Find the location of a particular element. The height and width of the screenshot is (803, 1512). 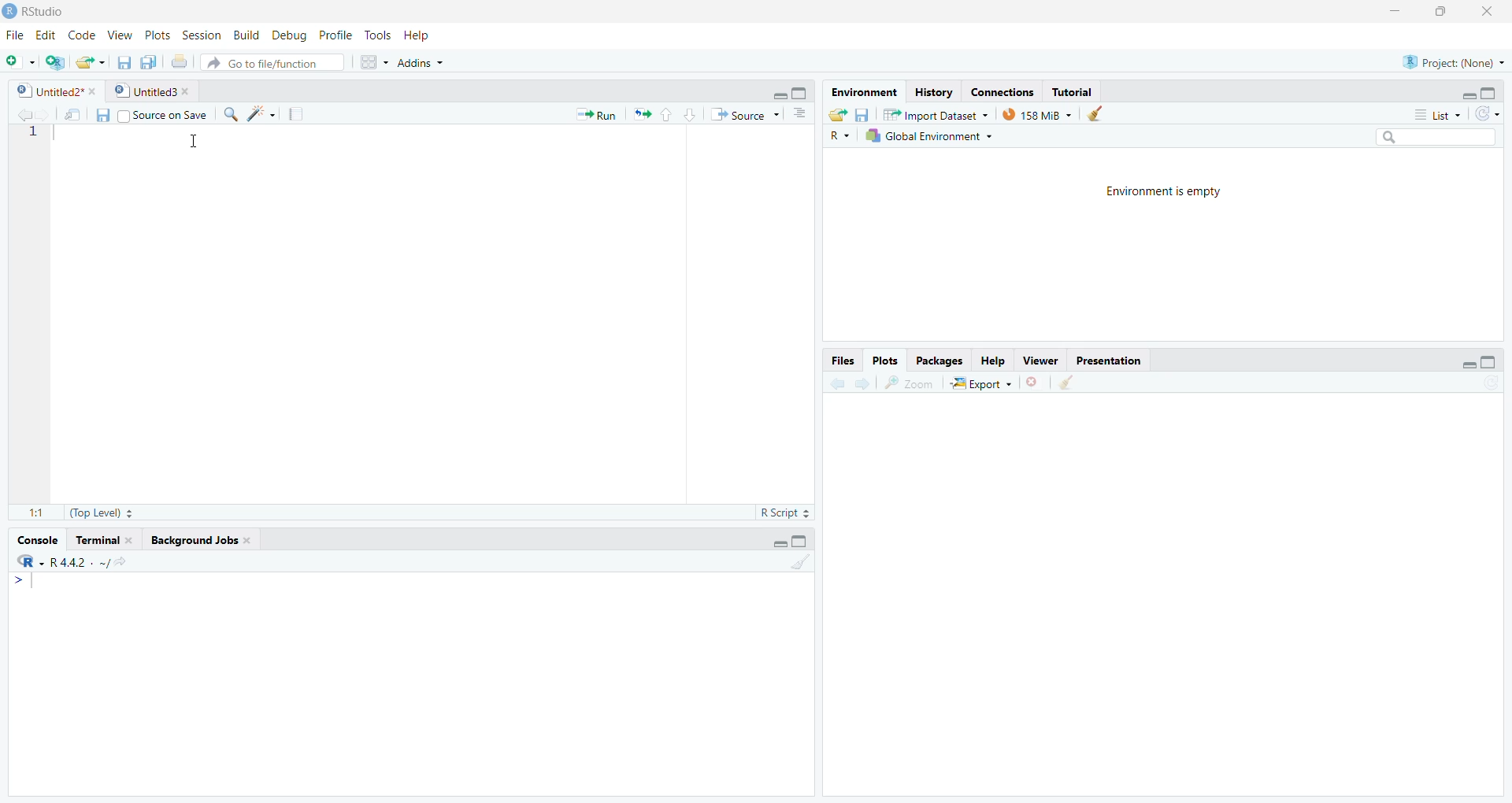

Background Jobs is located at coordinates (216, 541).